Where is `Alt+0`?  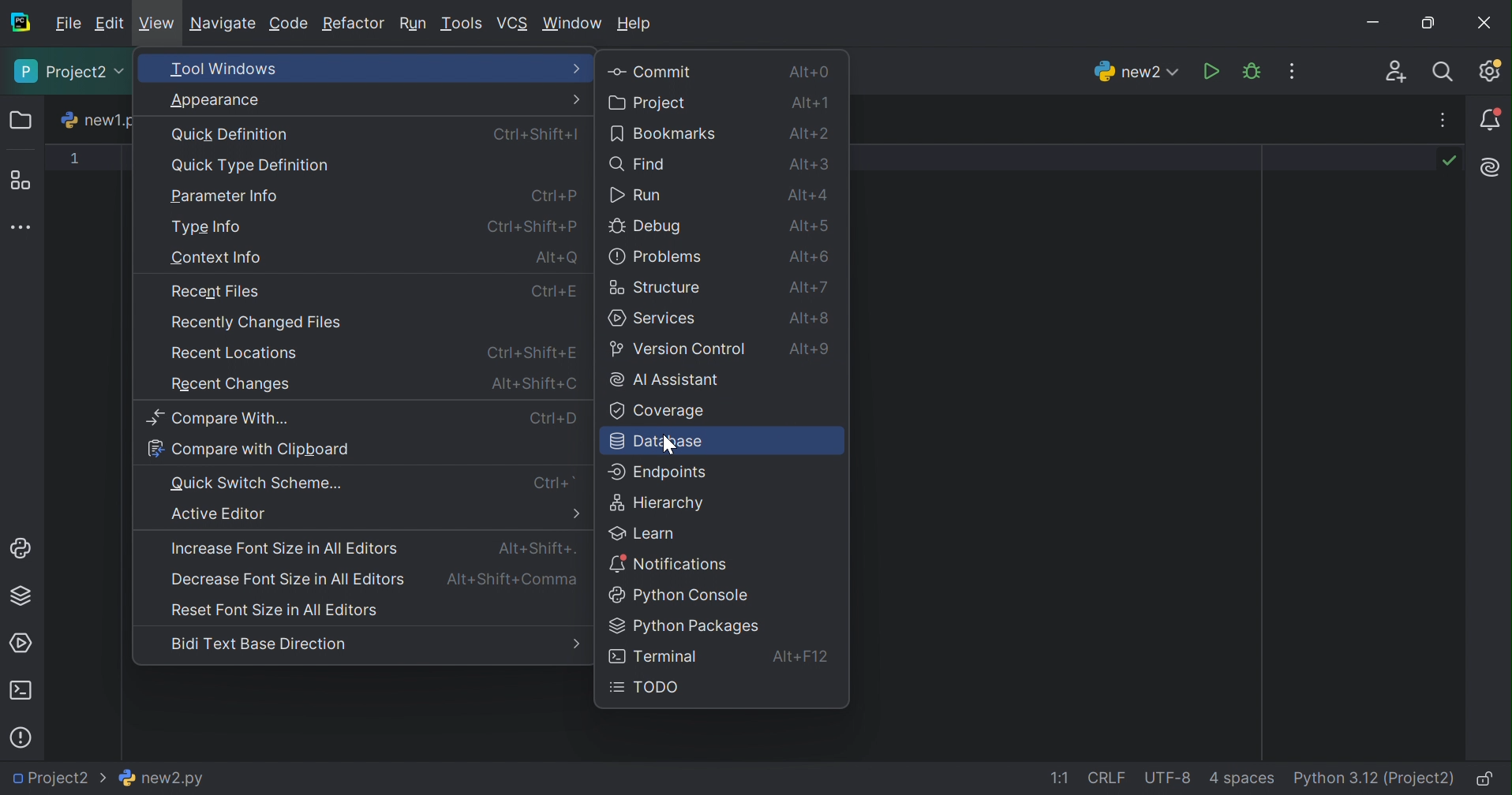 Alt+0 is located at coordinates (808, 72).